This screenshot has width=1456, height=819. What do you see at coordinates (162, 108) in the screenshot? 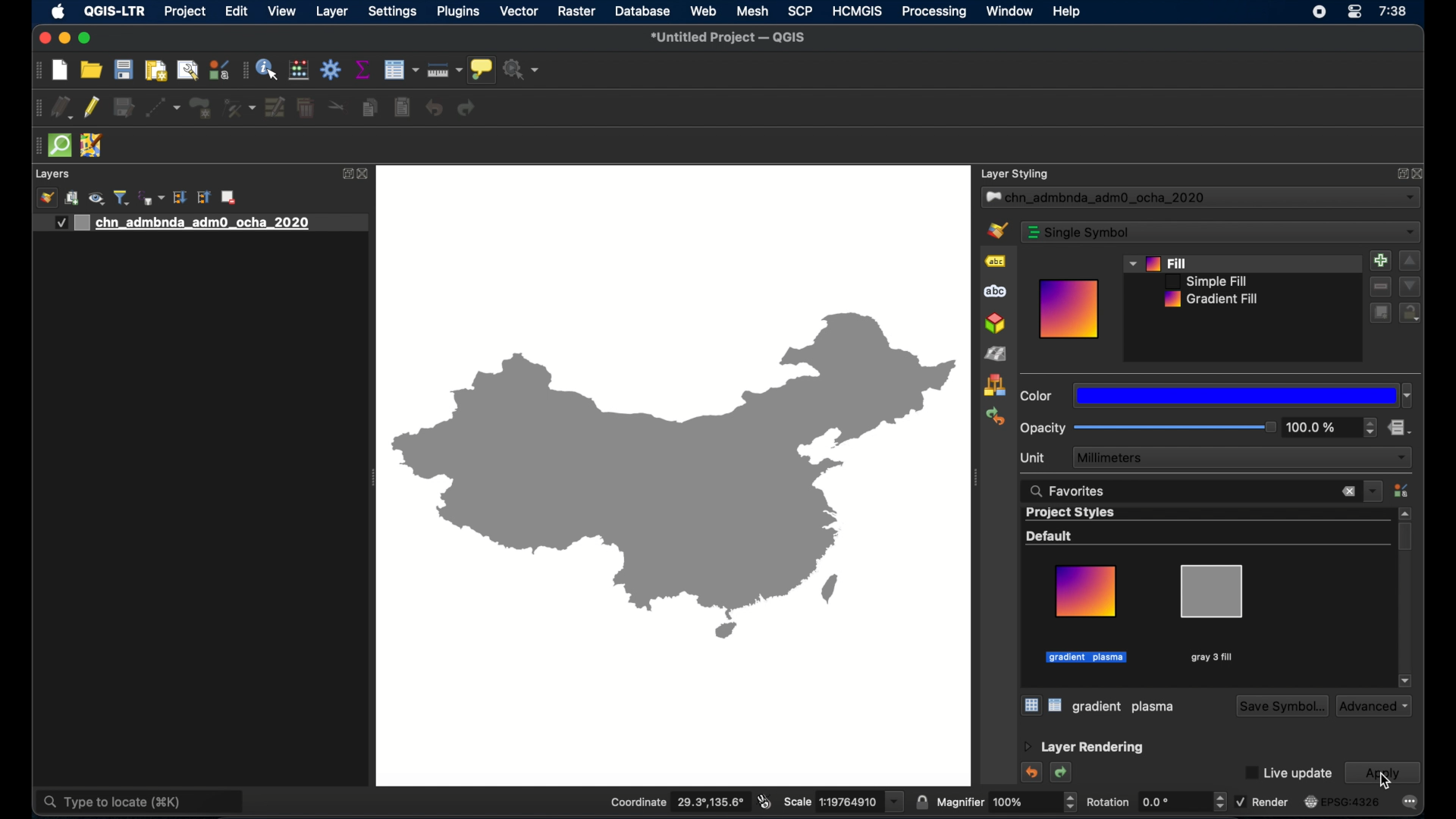
I see `digitize with segment` at bounding box center [162, 108].